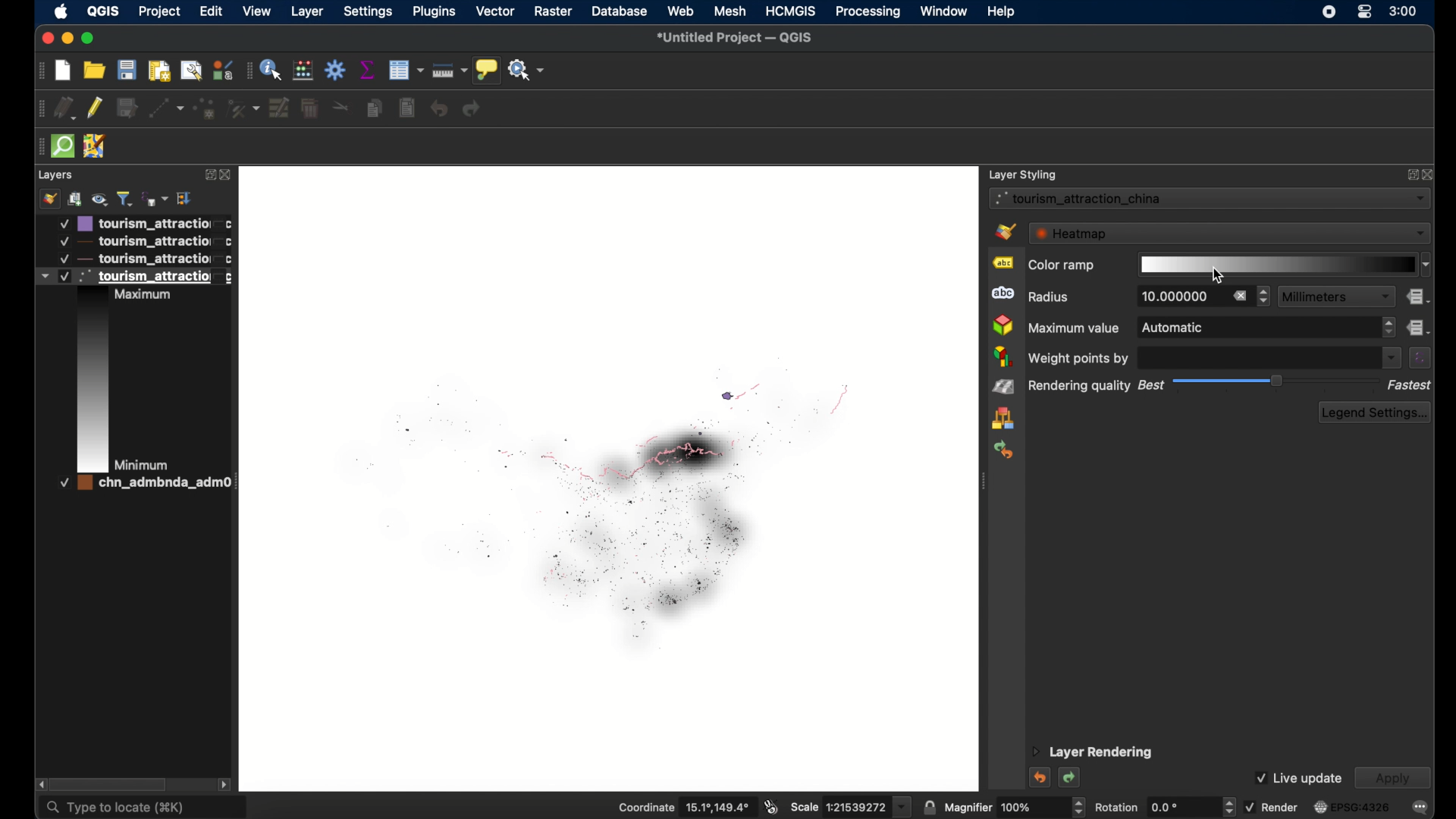 The width and height of the screenshot is (1456, 819). I want to click on rendering quality slider, so click(1278, 381).